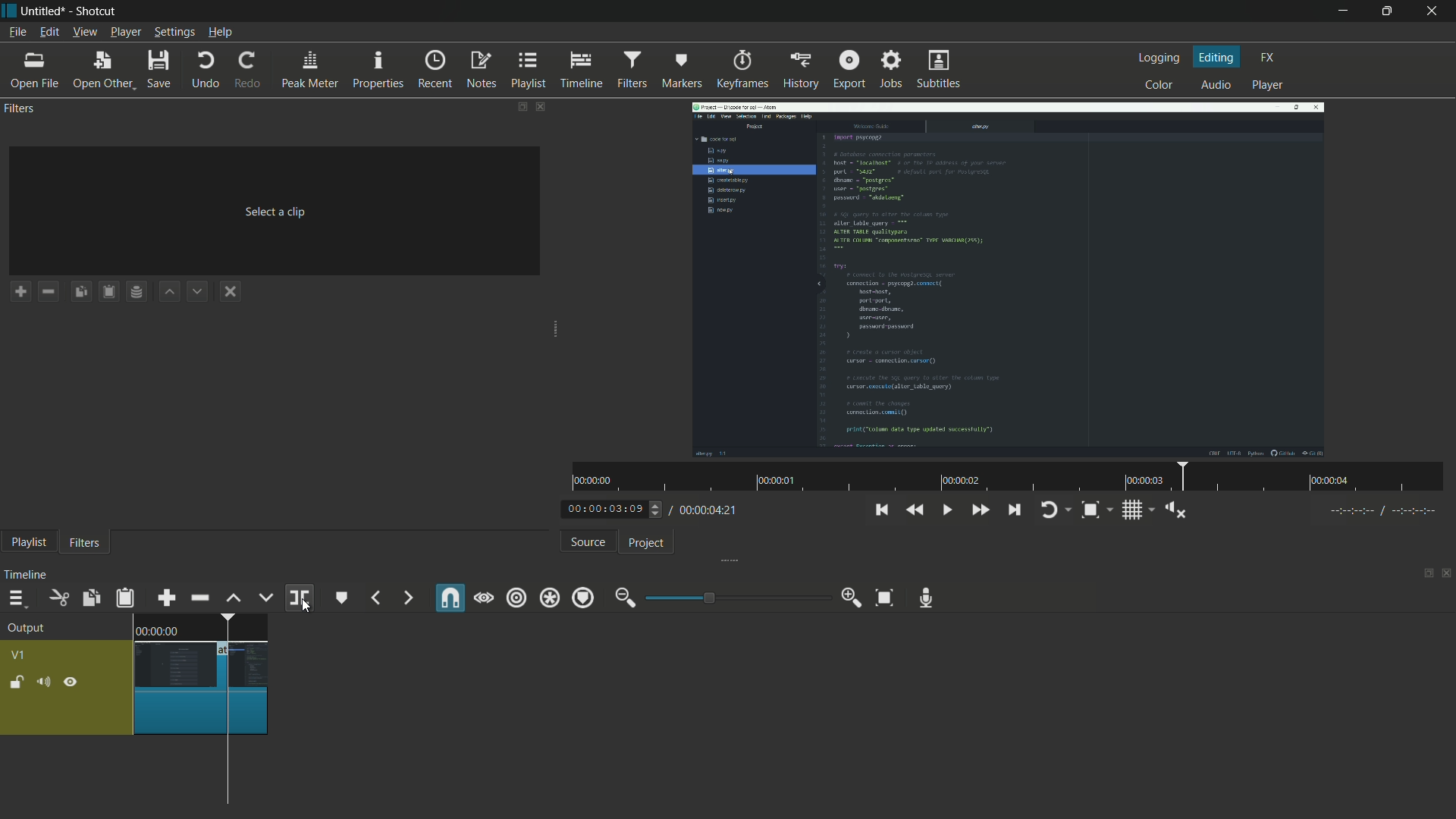 The image size is (1456, 819). I want to click on app name, so click(96, 11).